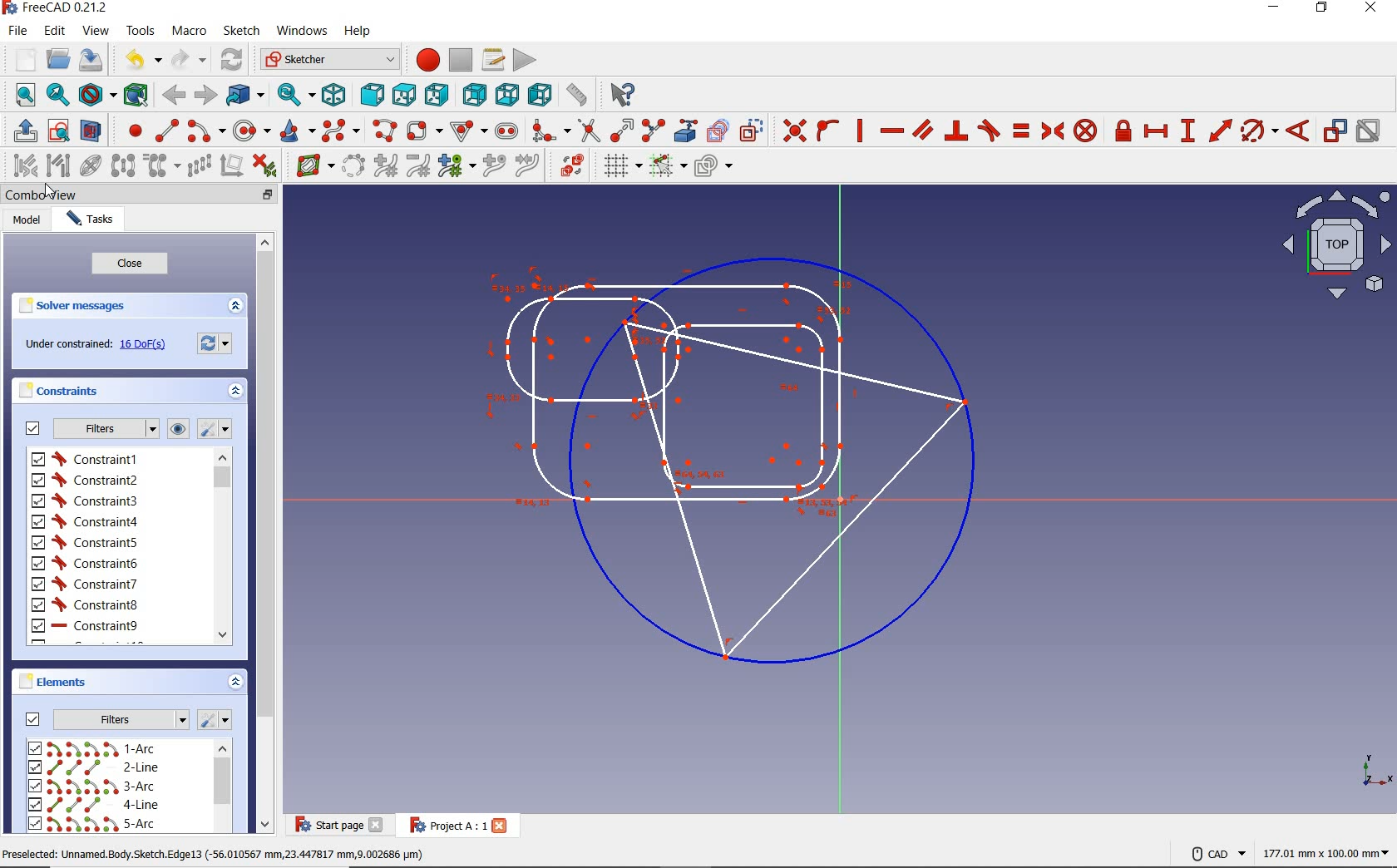  Describe the element at coordinates (20, 31) in the screenshot. I see `file` at that location.